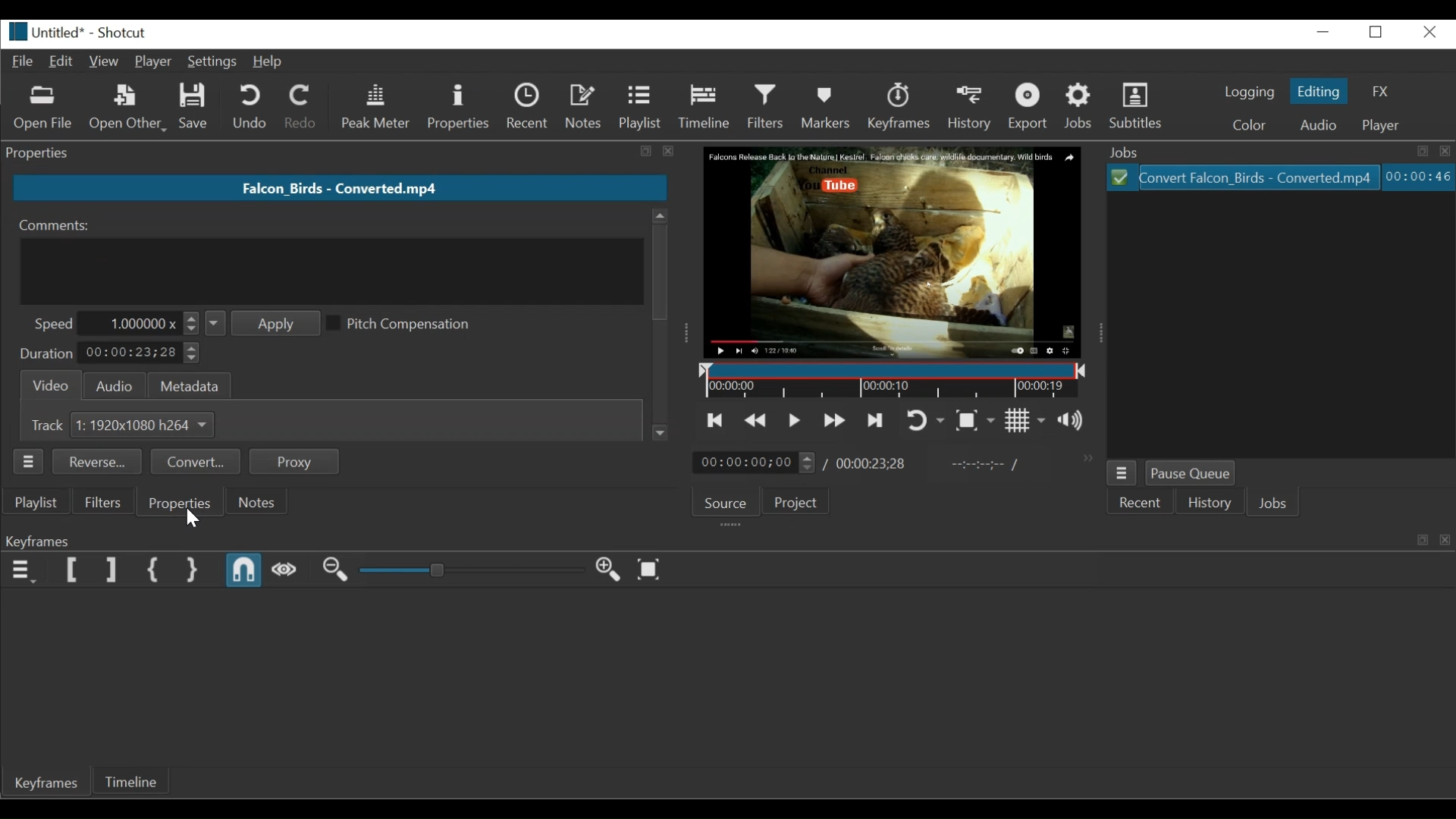 Image resolution: width=1456 pixels, height=819 pixels. Describe the element at coordinates (189, 519) in the screenshot. I see `Cursor` at that location.